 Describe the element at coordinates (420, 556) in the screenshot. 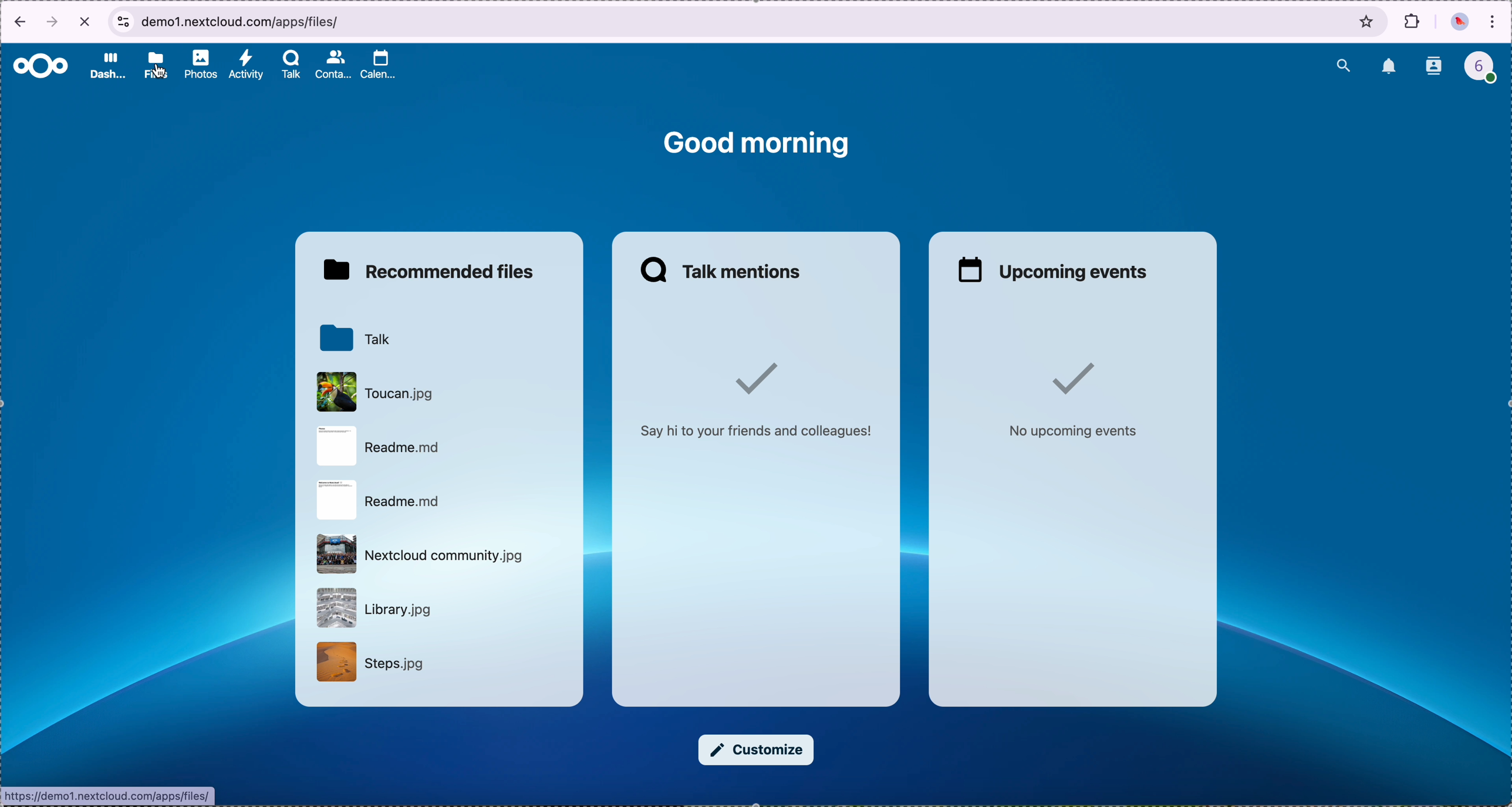

I see `nextcloud community.jpg` at that location.